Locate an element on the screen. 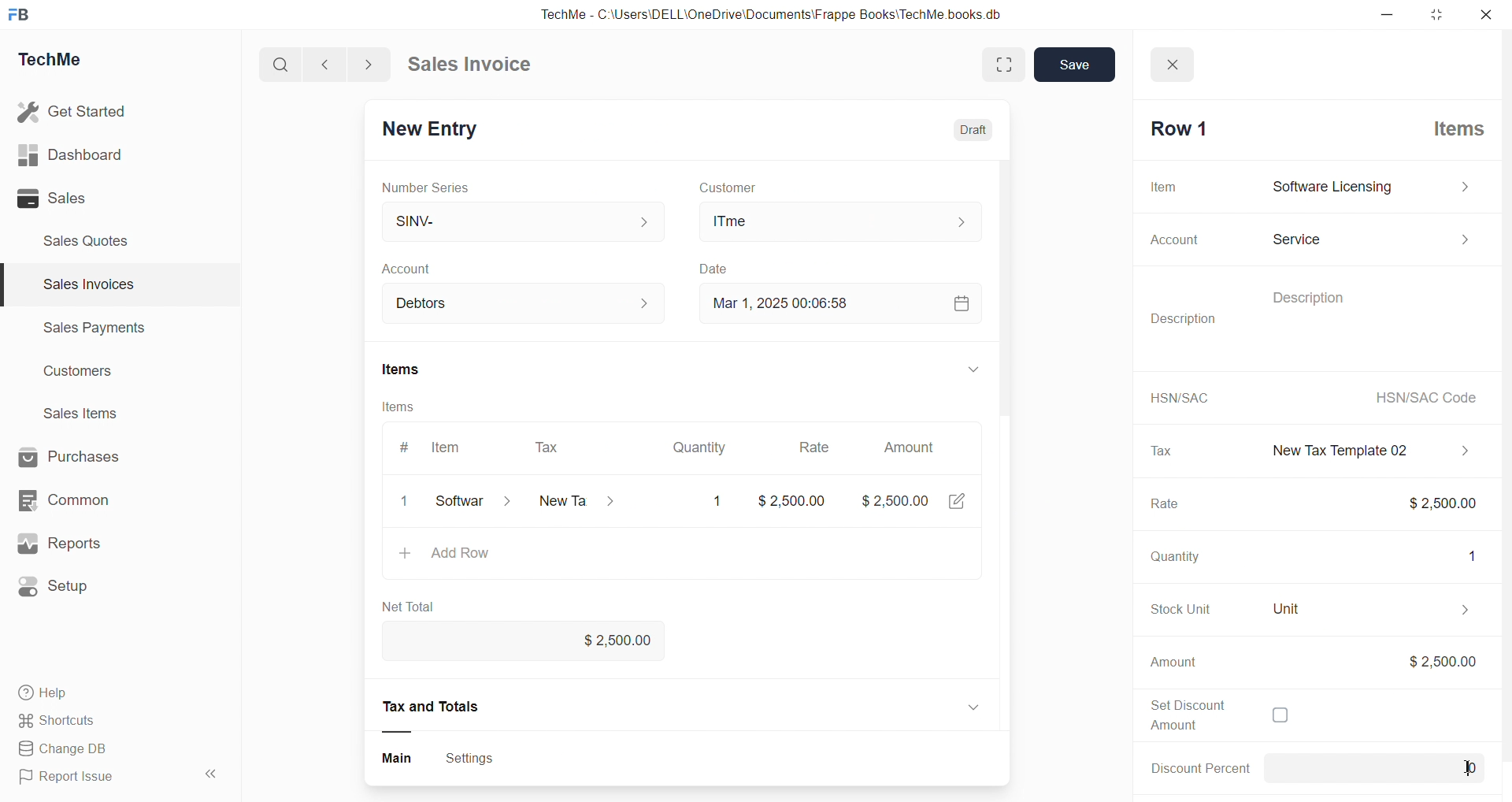 The height and width of the screenshot is (802, 1512). Items is located at coordinates (1451, 127).